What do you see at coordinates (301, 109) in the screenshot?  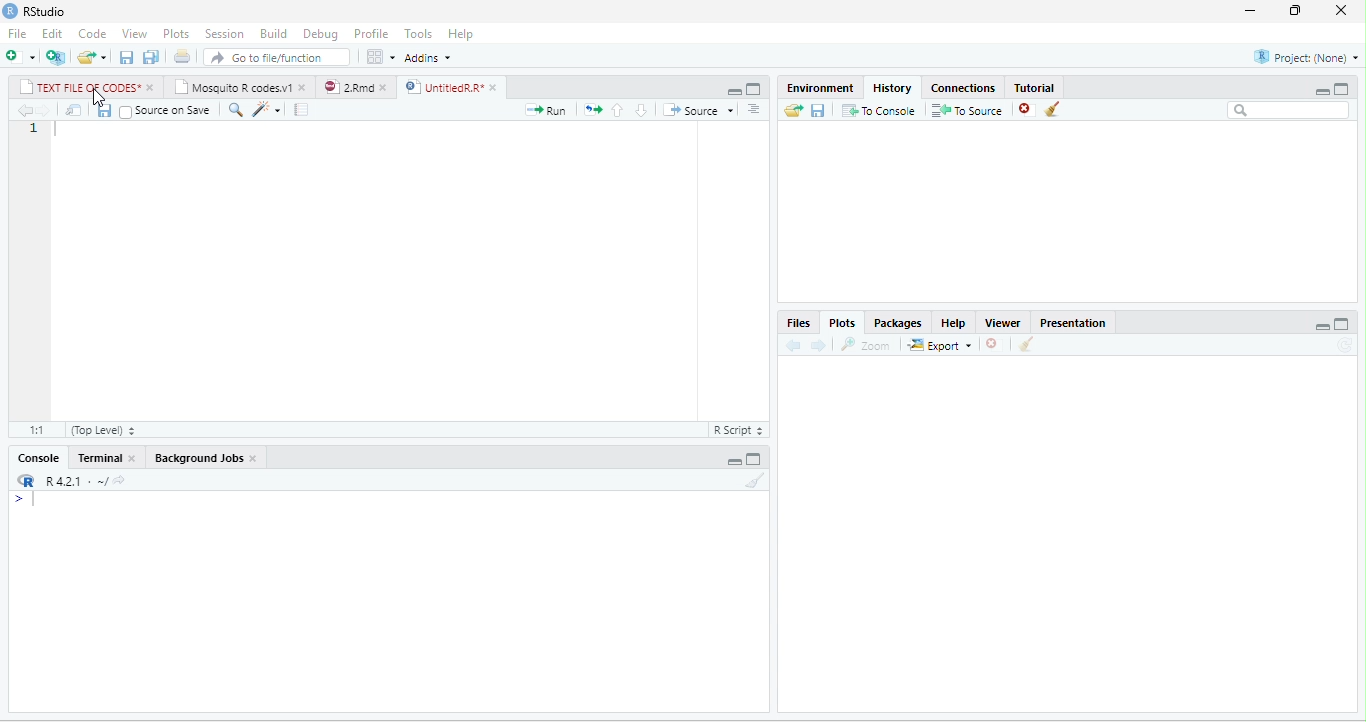 I see `compile report` at bounding box center [301, 109].